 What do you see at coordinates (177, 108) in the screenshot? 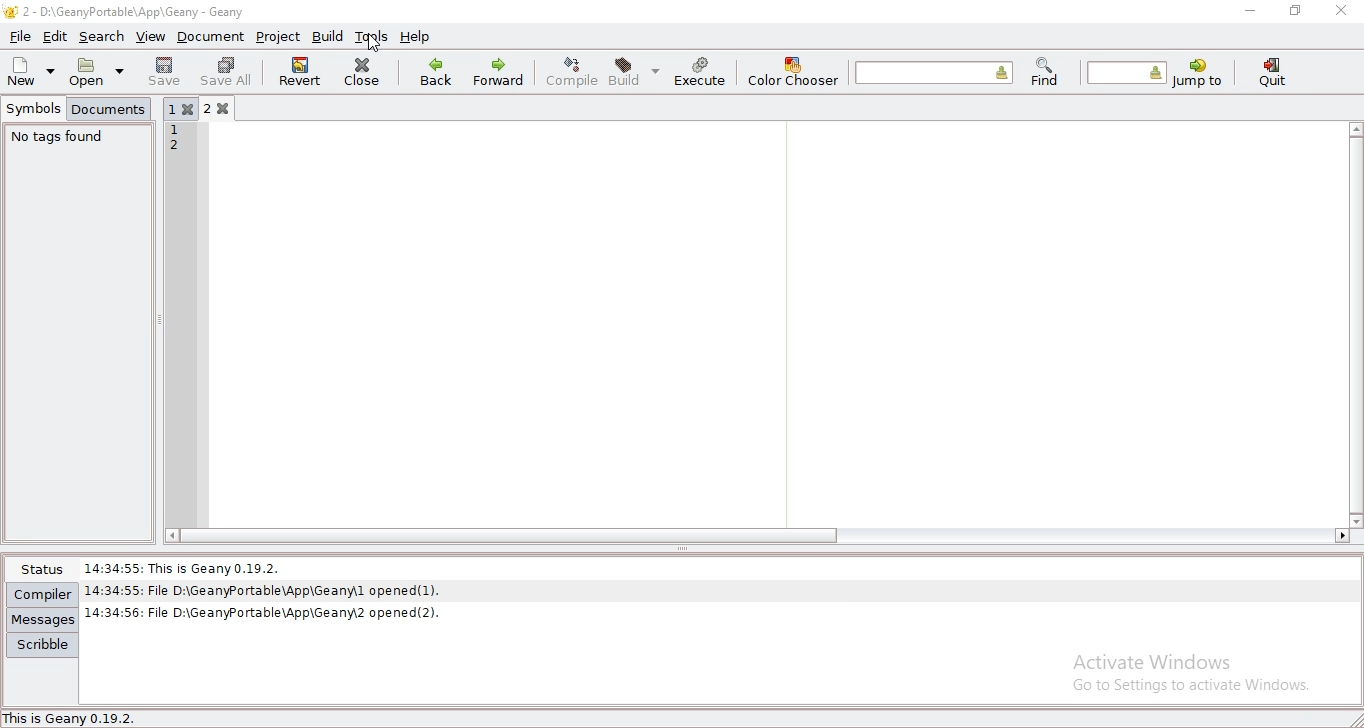
I see `` at bounding box center [177, 108].